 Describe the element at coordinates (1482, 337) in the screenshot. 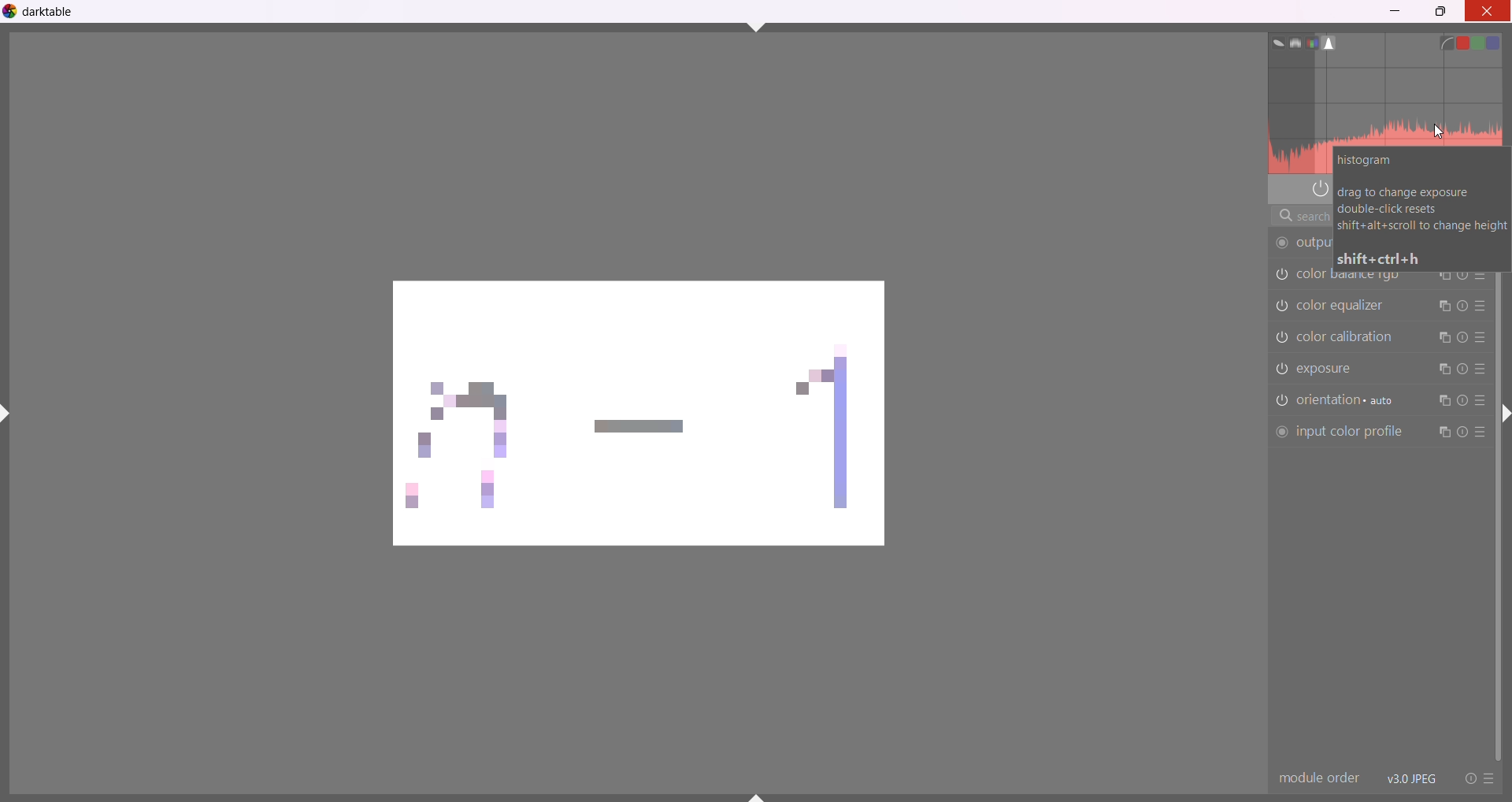

I see `presets` at that location.